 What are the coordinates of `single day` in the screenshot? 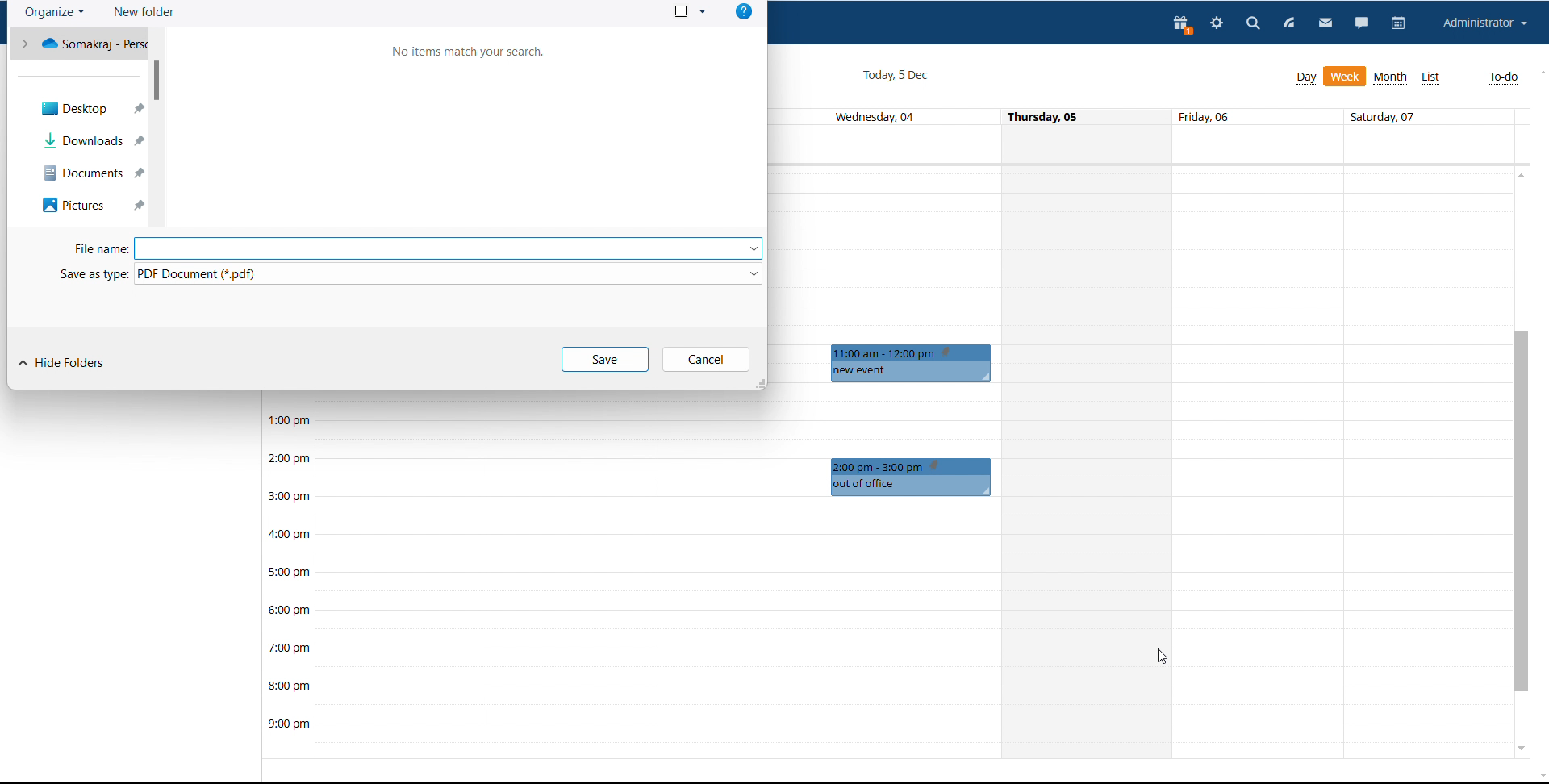 It's located at (1089, 461).